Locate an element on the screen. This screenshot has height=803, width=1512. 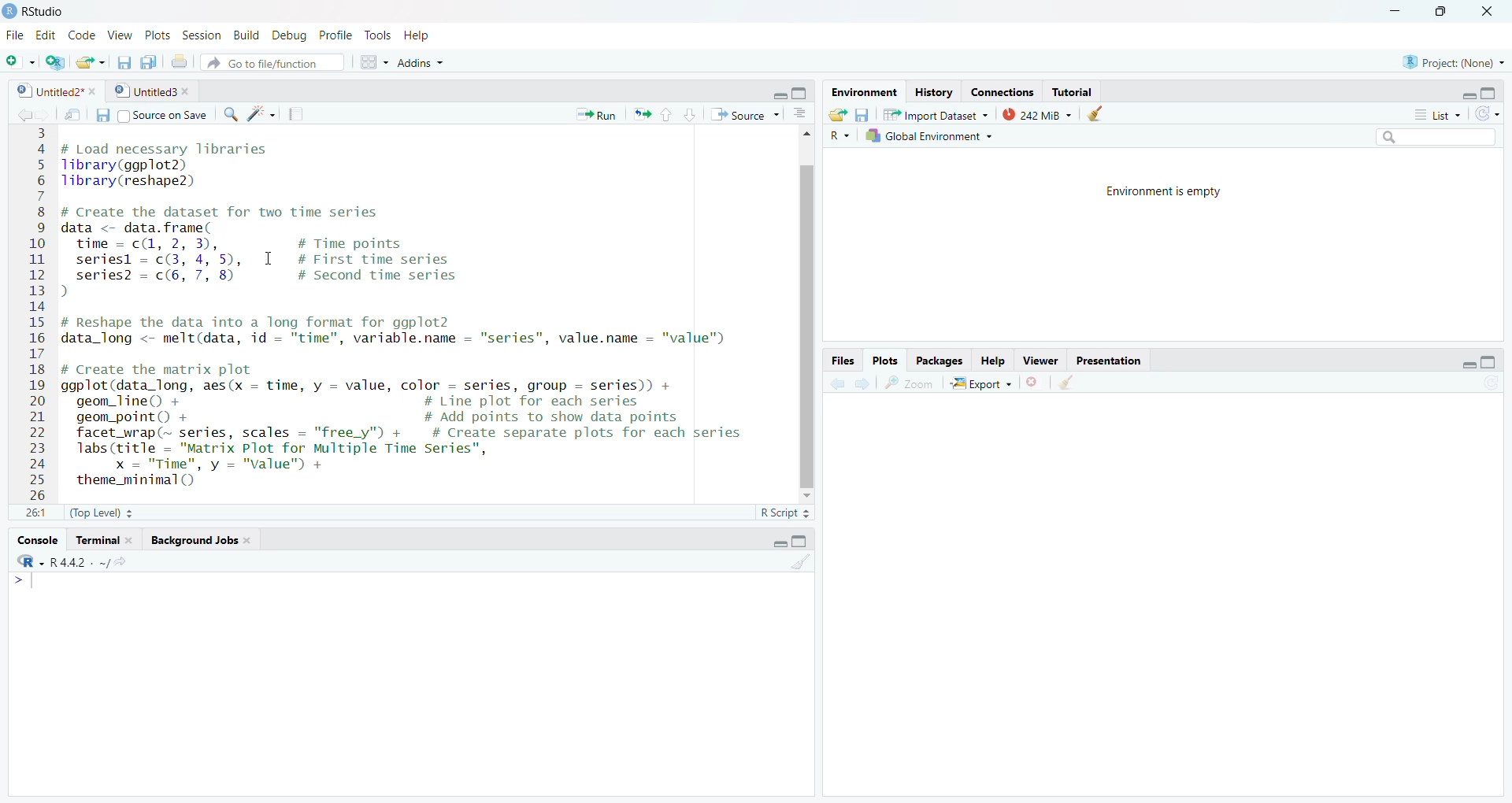
Connections is located at coordinates (1000, 92).